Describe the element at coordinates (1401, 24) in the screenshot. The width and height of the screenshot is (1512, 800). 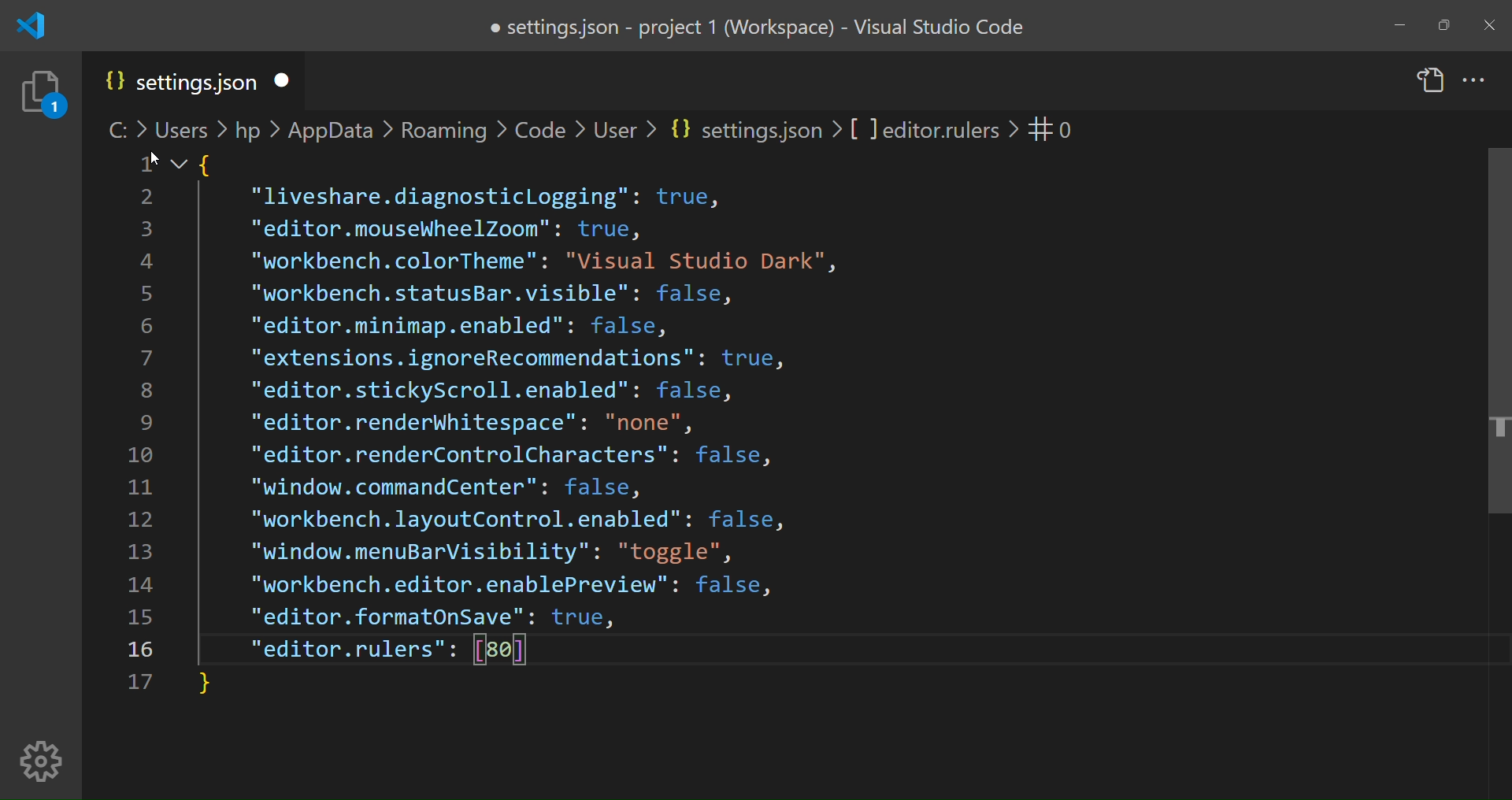
I see `minimize` at that location.